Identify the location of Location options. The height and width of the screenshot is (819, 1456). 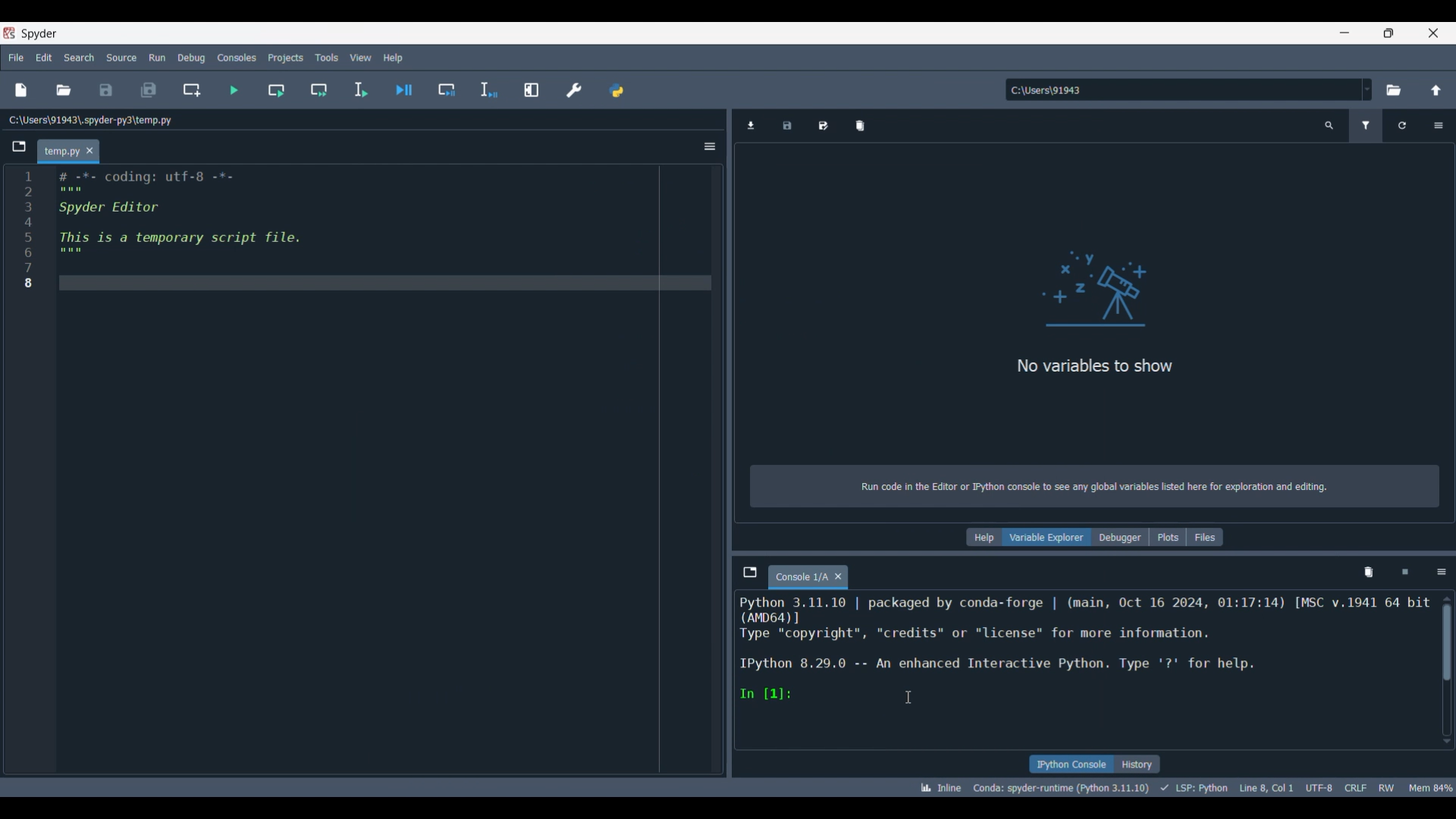
(1367, 89).